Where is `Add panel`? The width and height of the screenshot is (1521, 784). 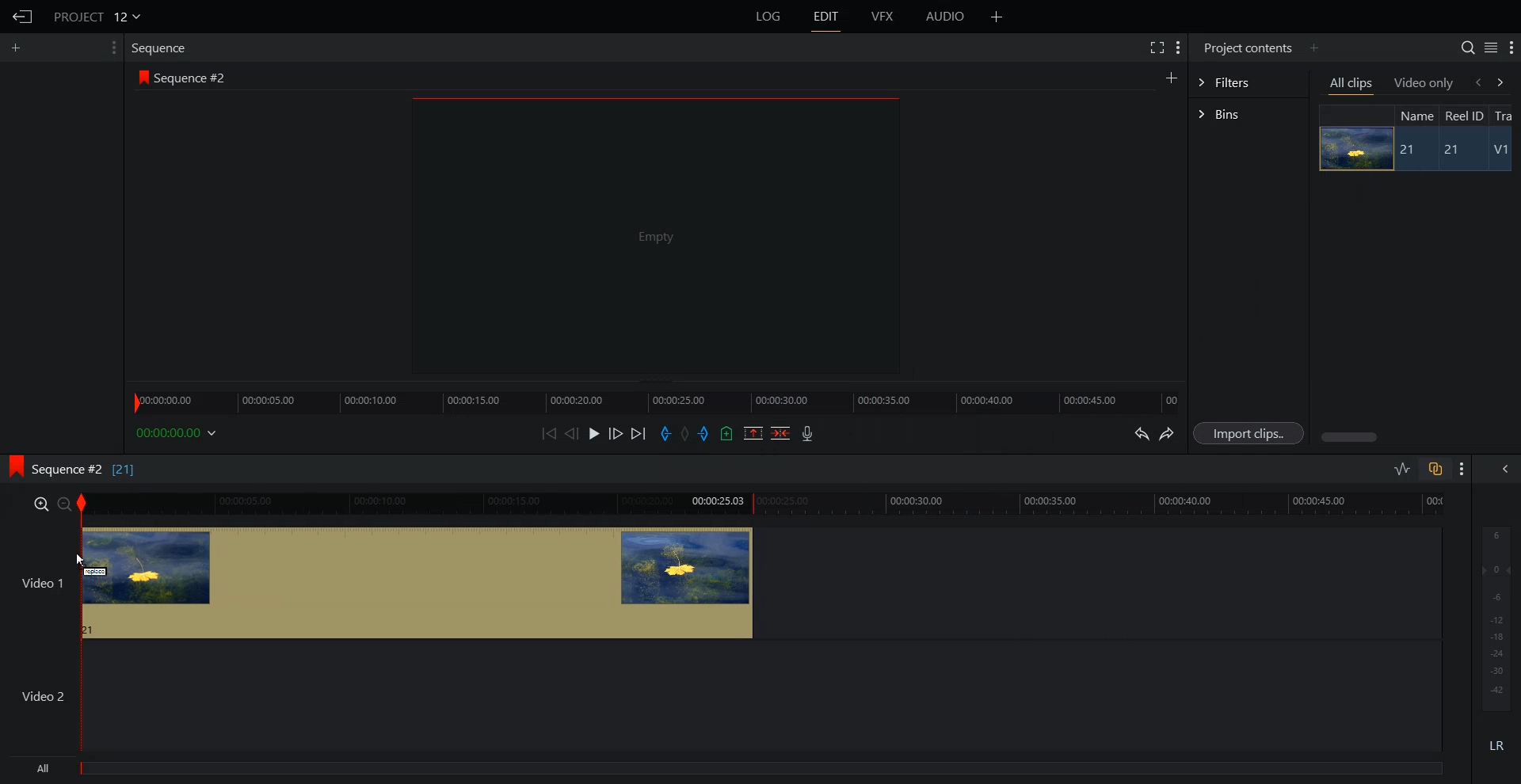
Add panel is located at coordinates (20, 48).